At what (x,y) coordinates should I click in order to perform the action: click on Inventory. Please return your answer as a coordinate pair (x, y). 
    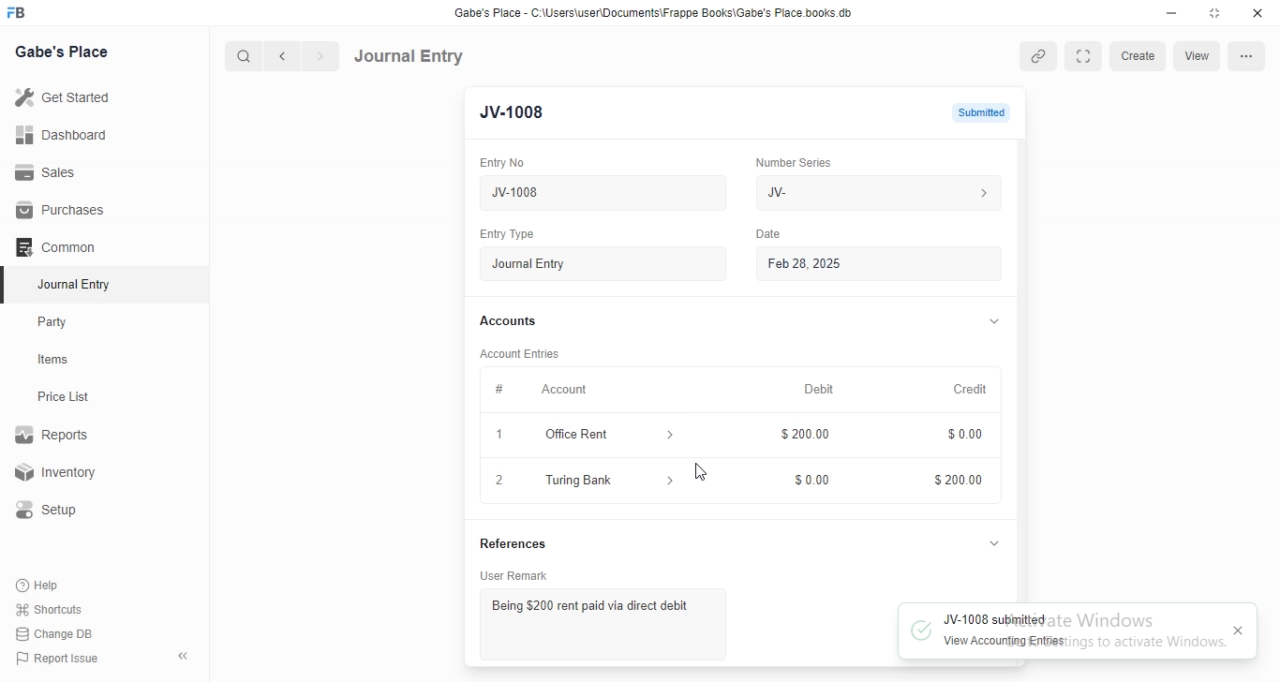
    Looking at the image, I should click on (59, 474).